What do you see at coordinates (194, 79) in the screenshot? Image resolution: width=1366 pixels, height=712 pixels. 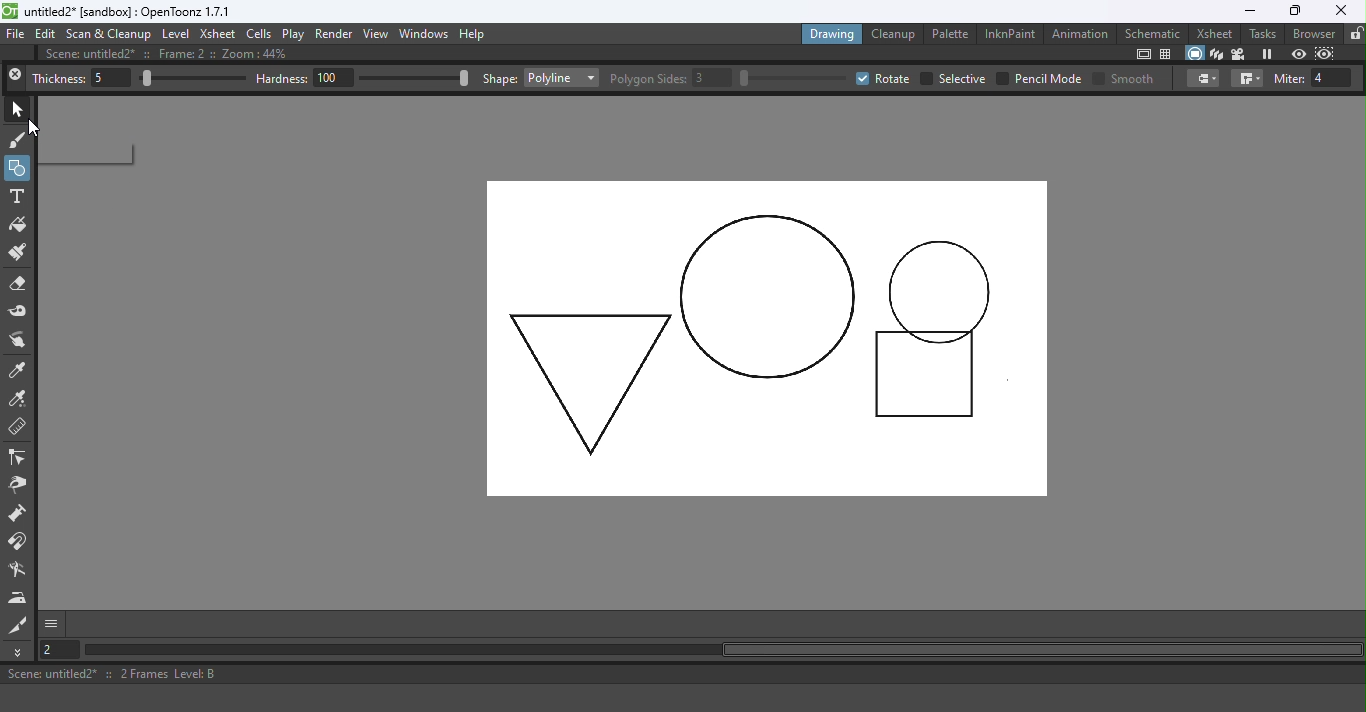 I see `Thickness bar` at bounding box center [194, 79].